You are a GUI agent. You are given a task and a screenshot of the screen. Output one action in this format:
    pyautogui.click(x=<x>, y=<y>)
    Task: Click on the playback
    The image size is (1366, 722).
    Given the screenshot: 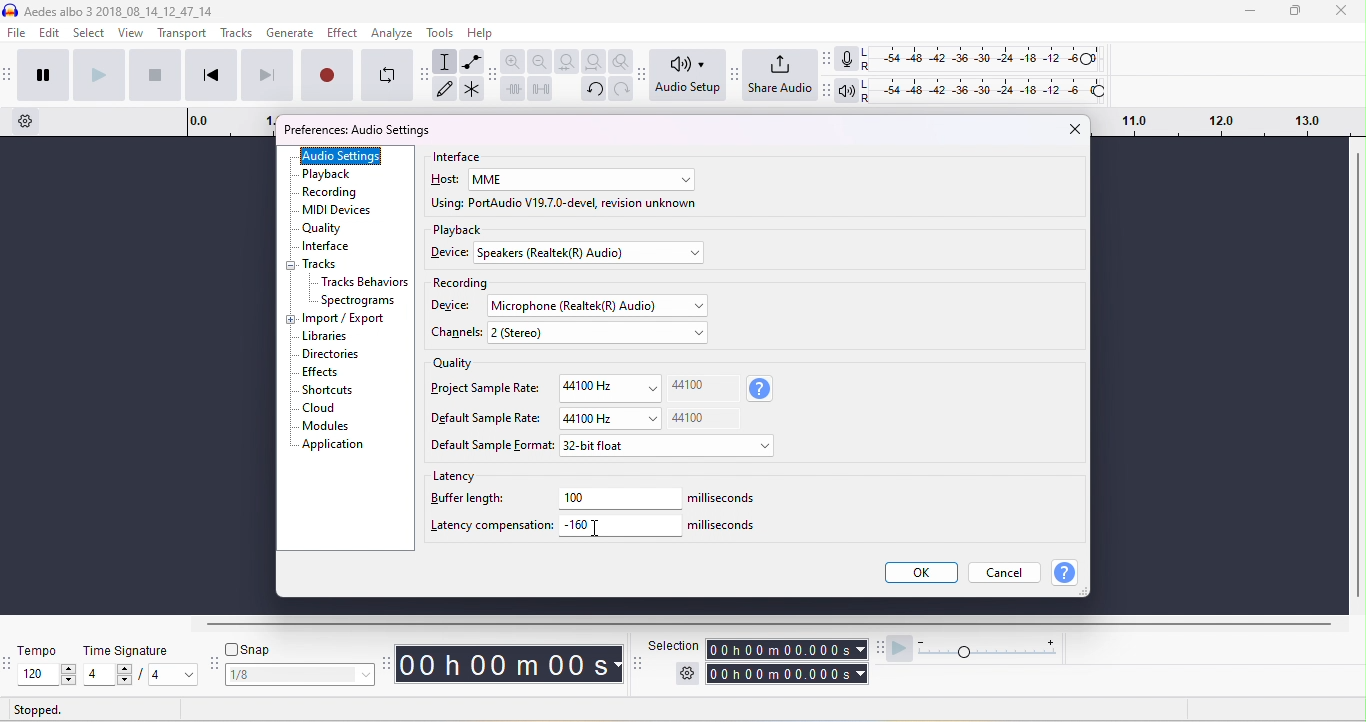 What is the action you would take?
    pyautogui.click(x=458, y=230)
    